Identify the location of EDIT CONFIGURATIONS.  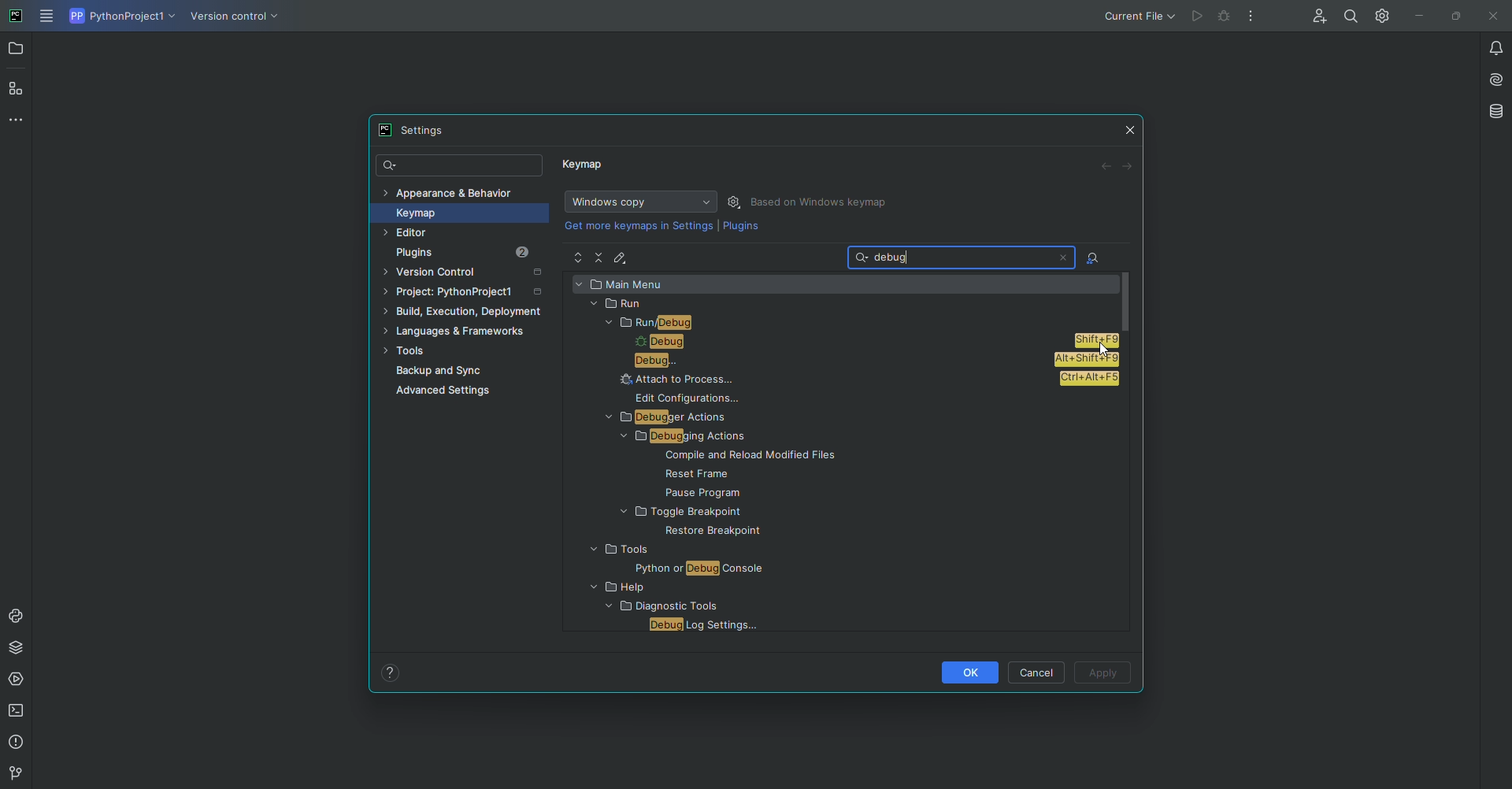
(696, 398).